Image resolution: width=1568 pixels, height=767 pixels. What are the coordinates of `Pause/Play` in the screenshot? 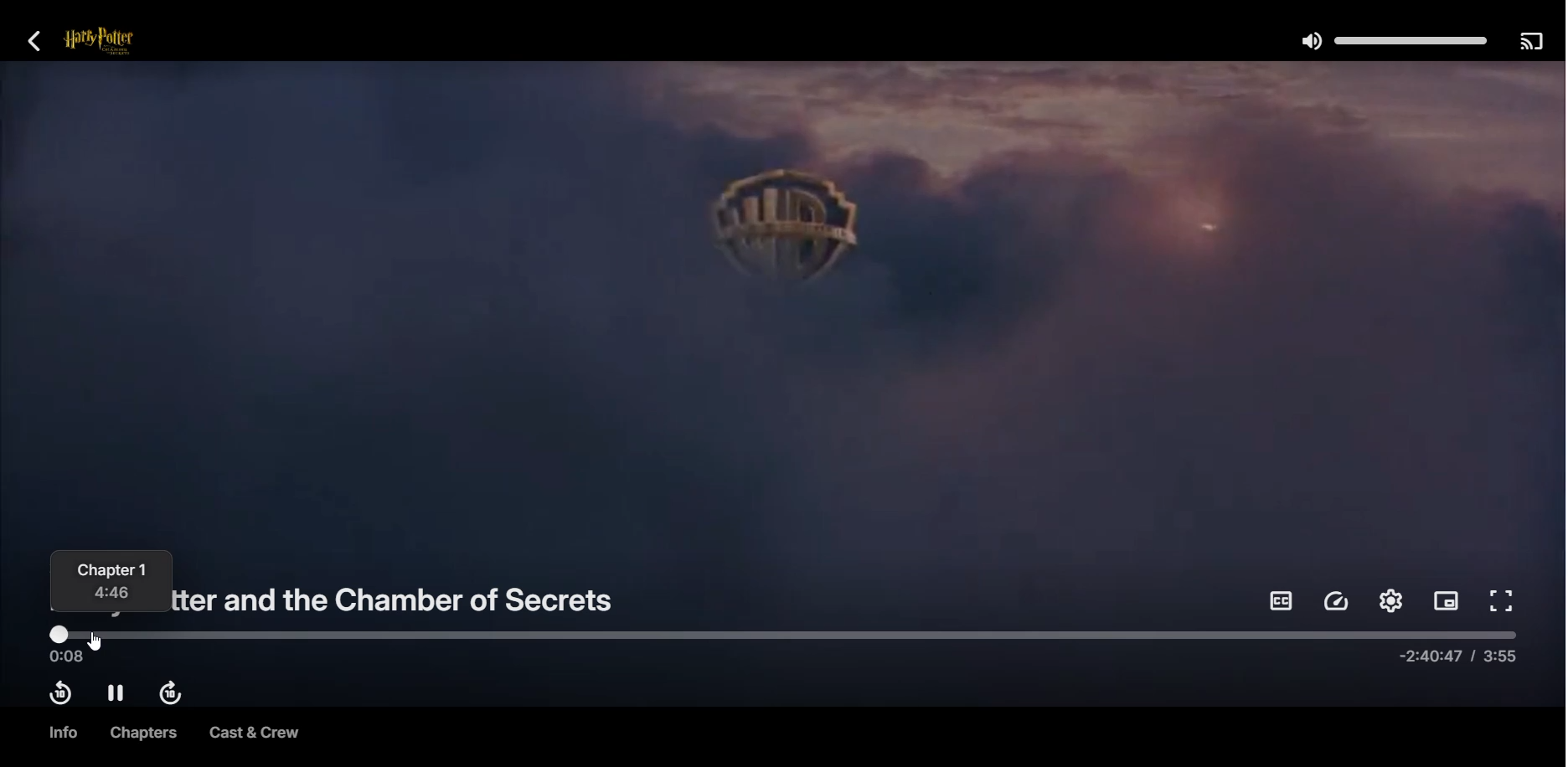 It's located at (116, 693).